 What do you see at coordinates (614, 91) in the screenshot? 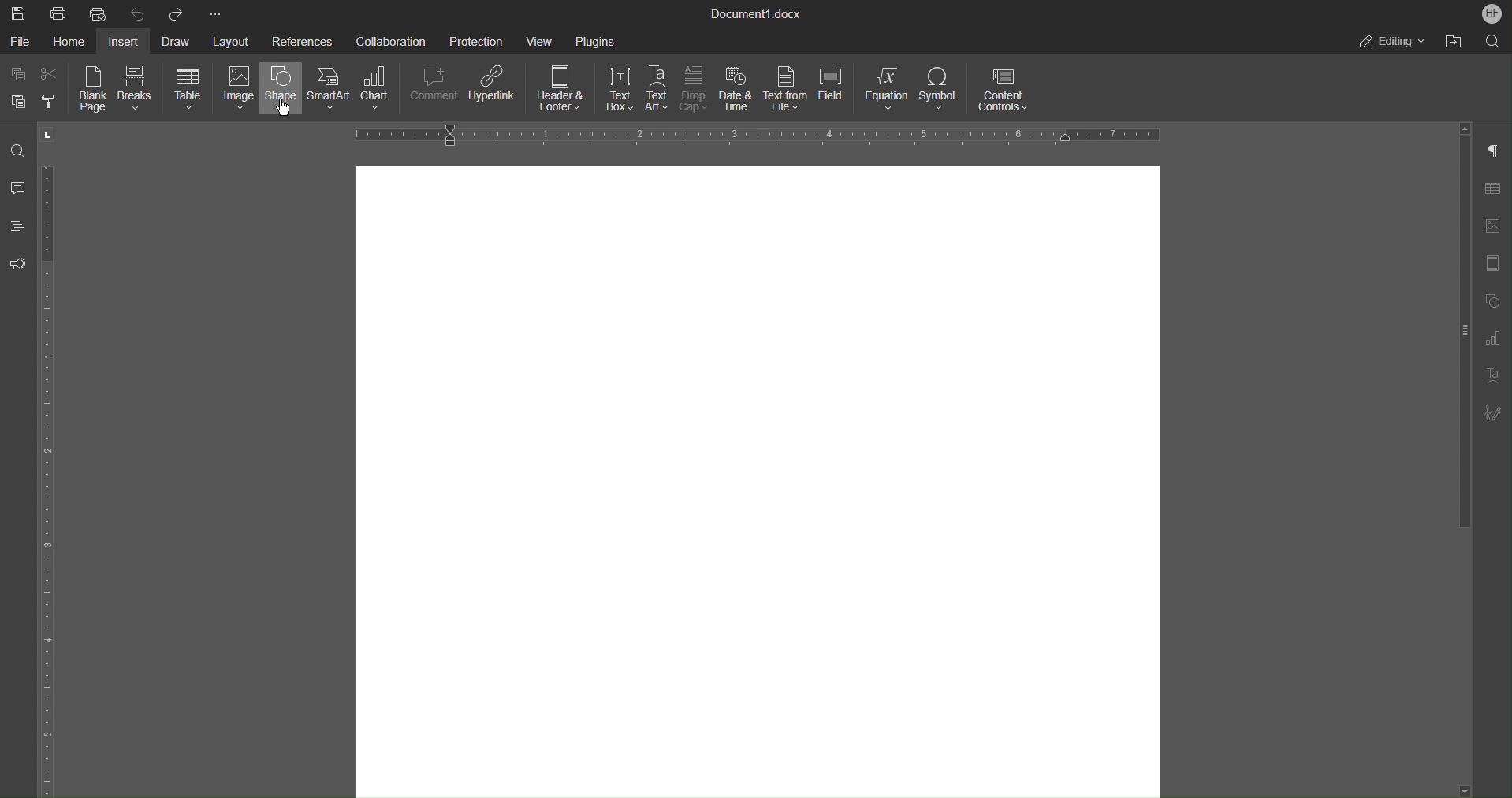
I see `Text Box` at bounding box center [614, 91].